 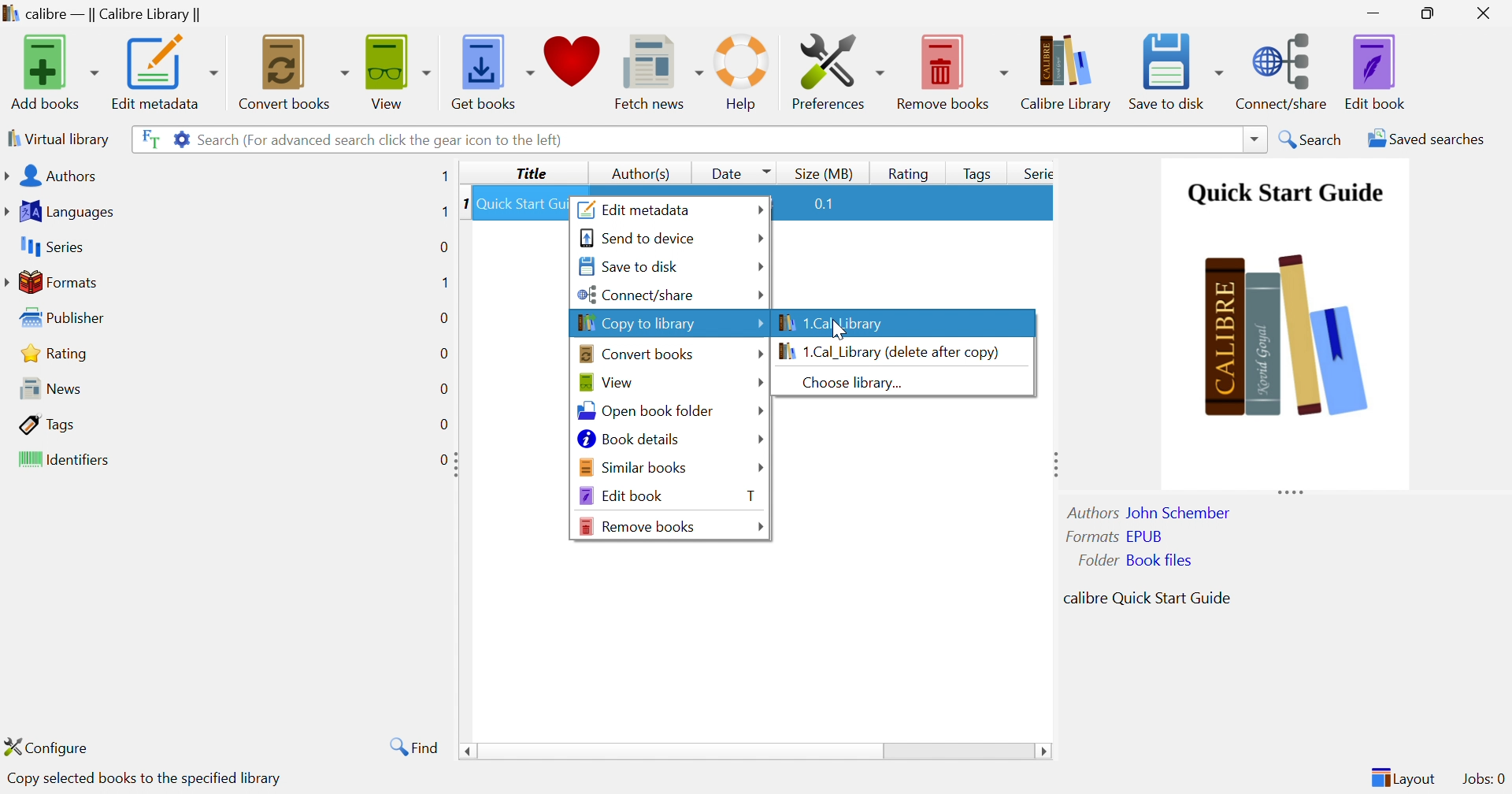 What do you see at coordinates (437, 460) in the screenshot?
I see `0` at bounding box center [437, 460].